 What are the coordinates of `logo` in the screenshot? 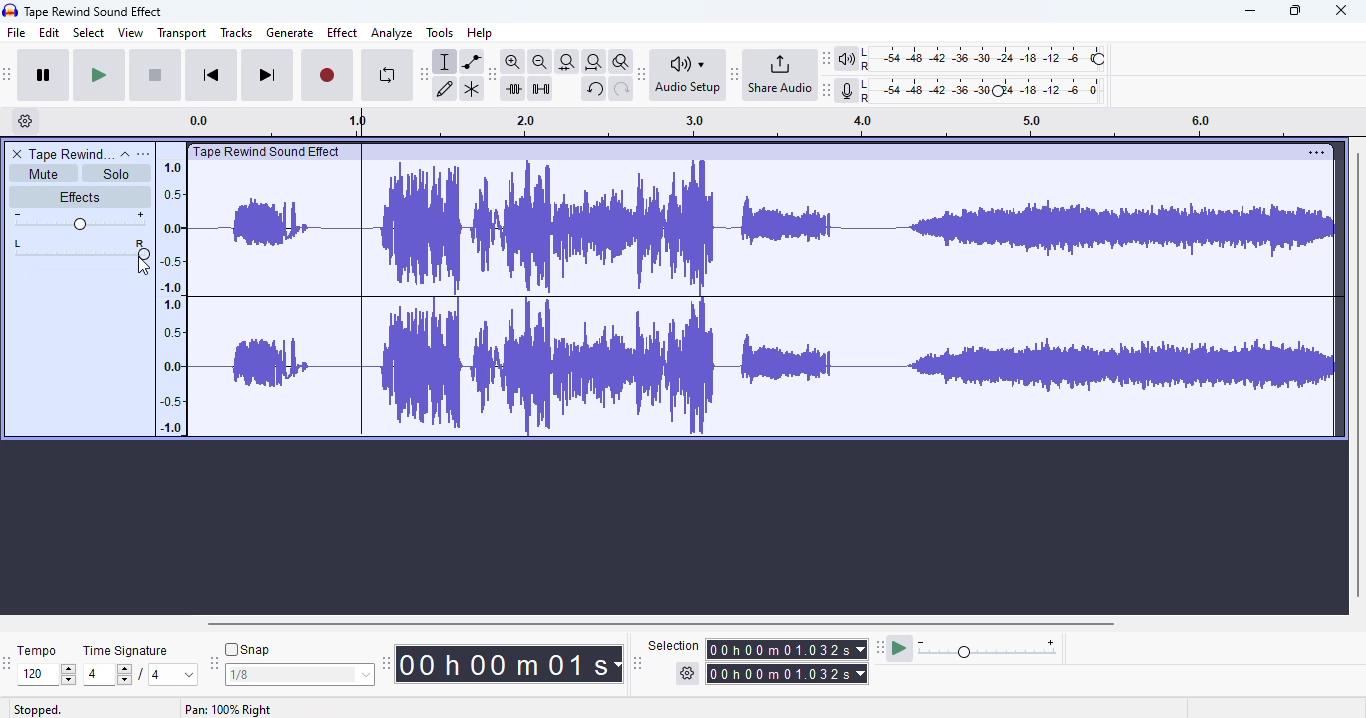 It's located at (10, 10).